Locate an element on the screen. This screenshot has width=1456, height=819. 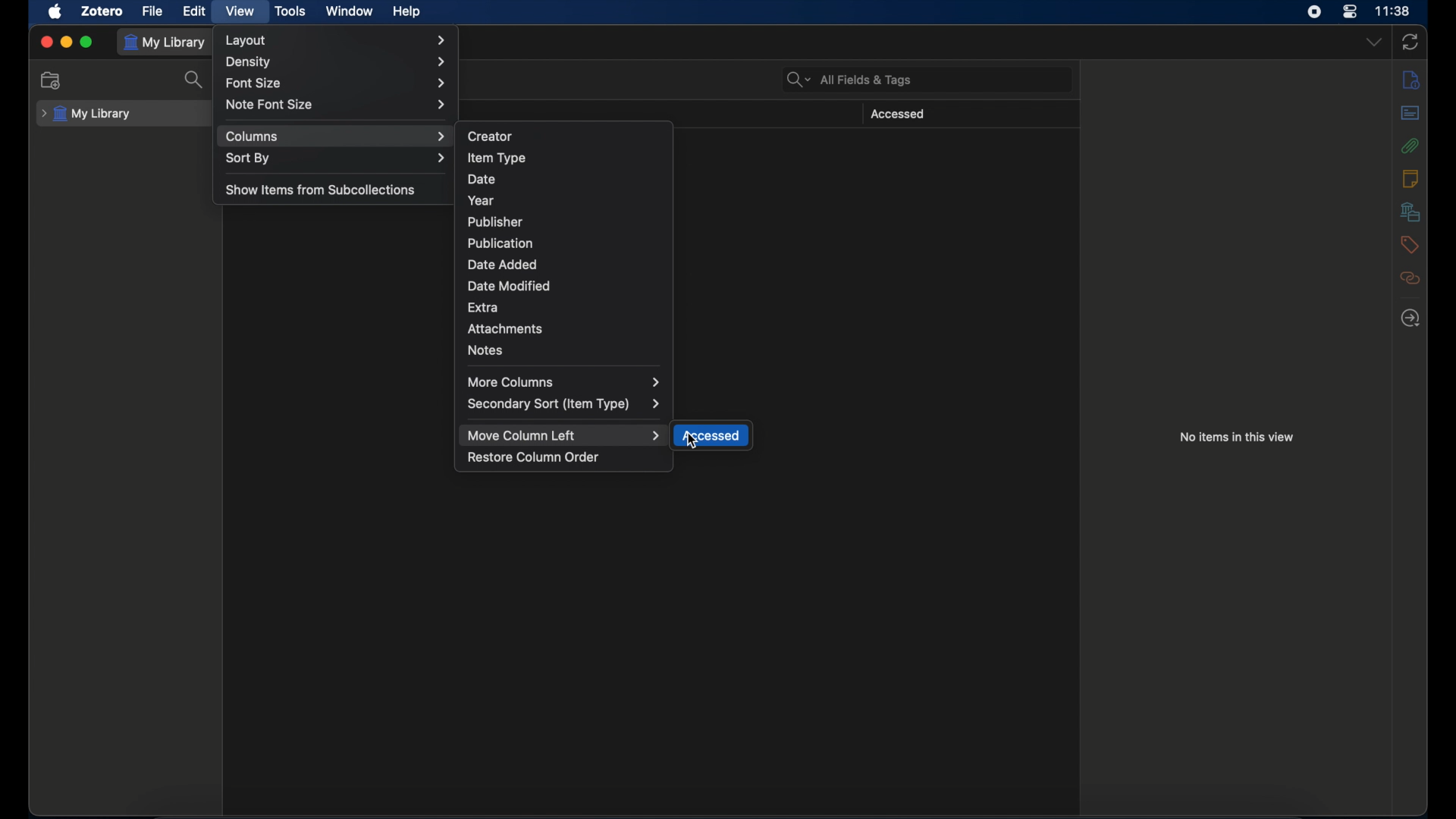
extra is located at coordinates (482, 306).